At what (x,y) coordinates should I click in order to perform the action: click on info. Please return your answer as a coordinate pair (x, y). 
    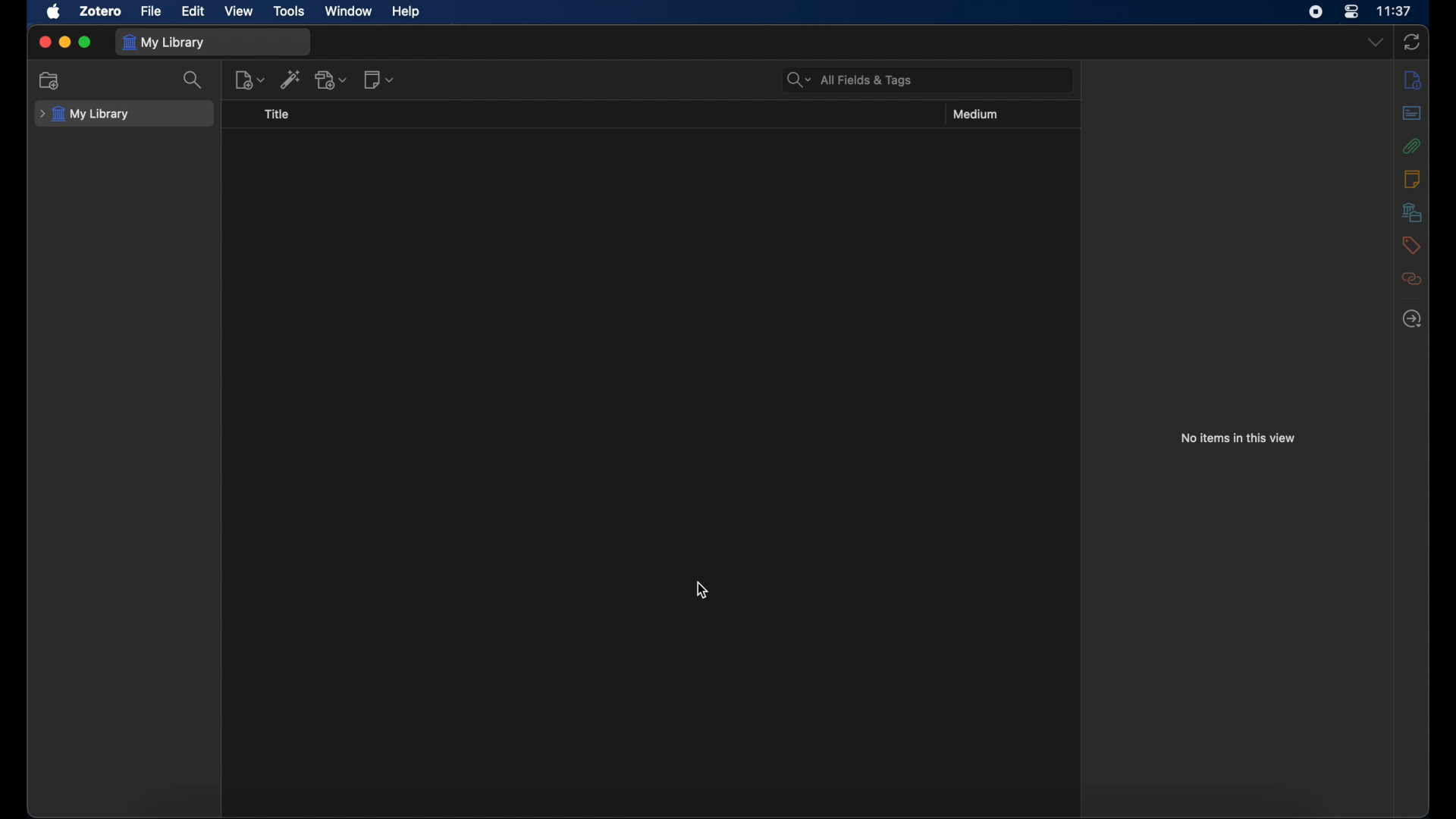
    Looking at the image, I should click on (1412, 79).